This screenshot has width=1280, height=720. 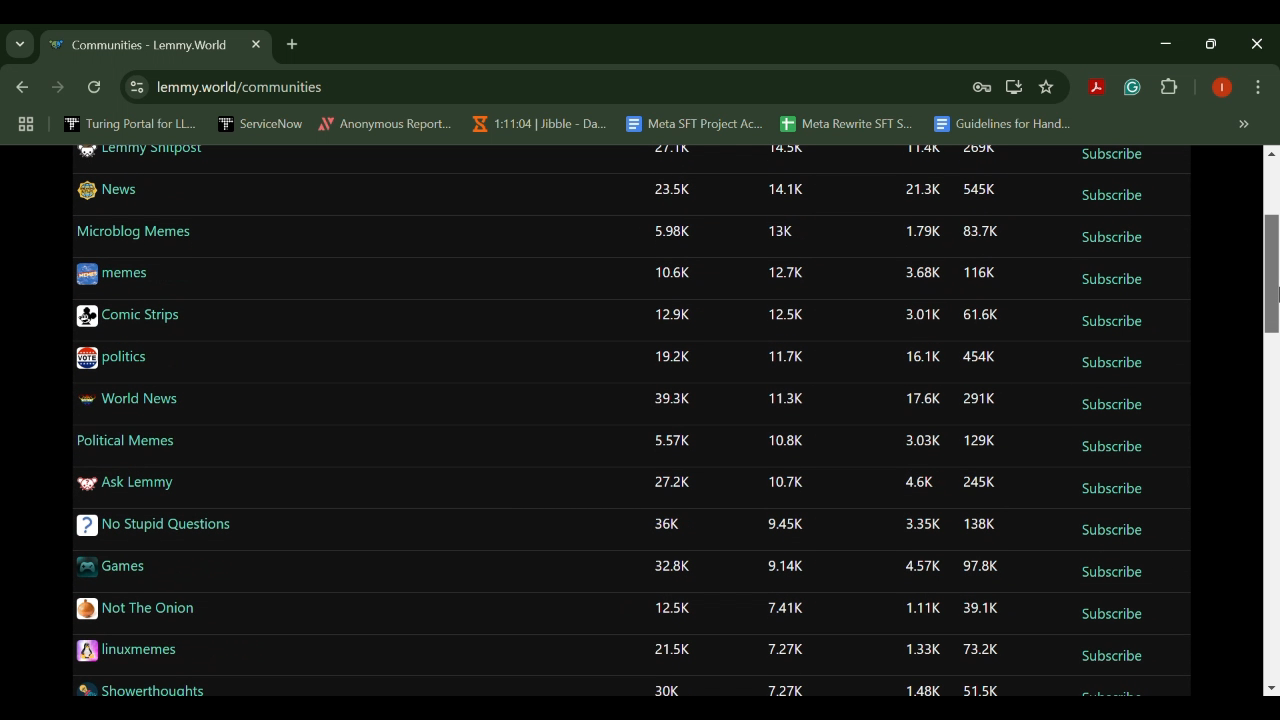 What do you see at coordinates (787, 482) in the screenshot?
I see `10.7K` at bounding box center [787, 482].